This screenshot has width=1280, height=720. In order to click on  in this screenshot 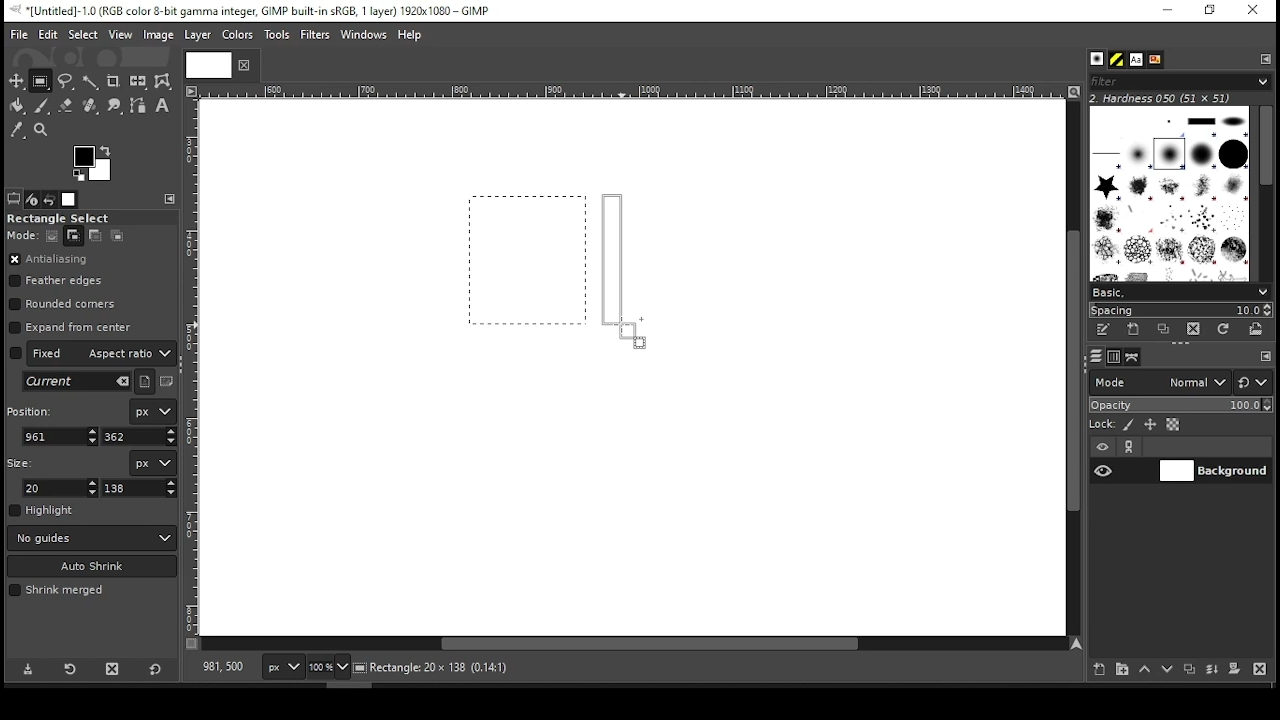, I will do `click(193, 367)`.